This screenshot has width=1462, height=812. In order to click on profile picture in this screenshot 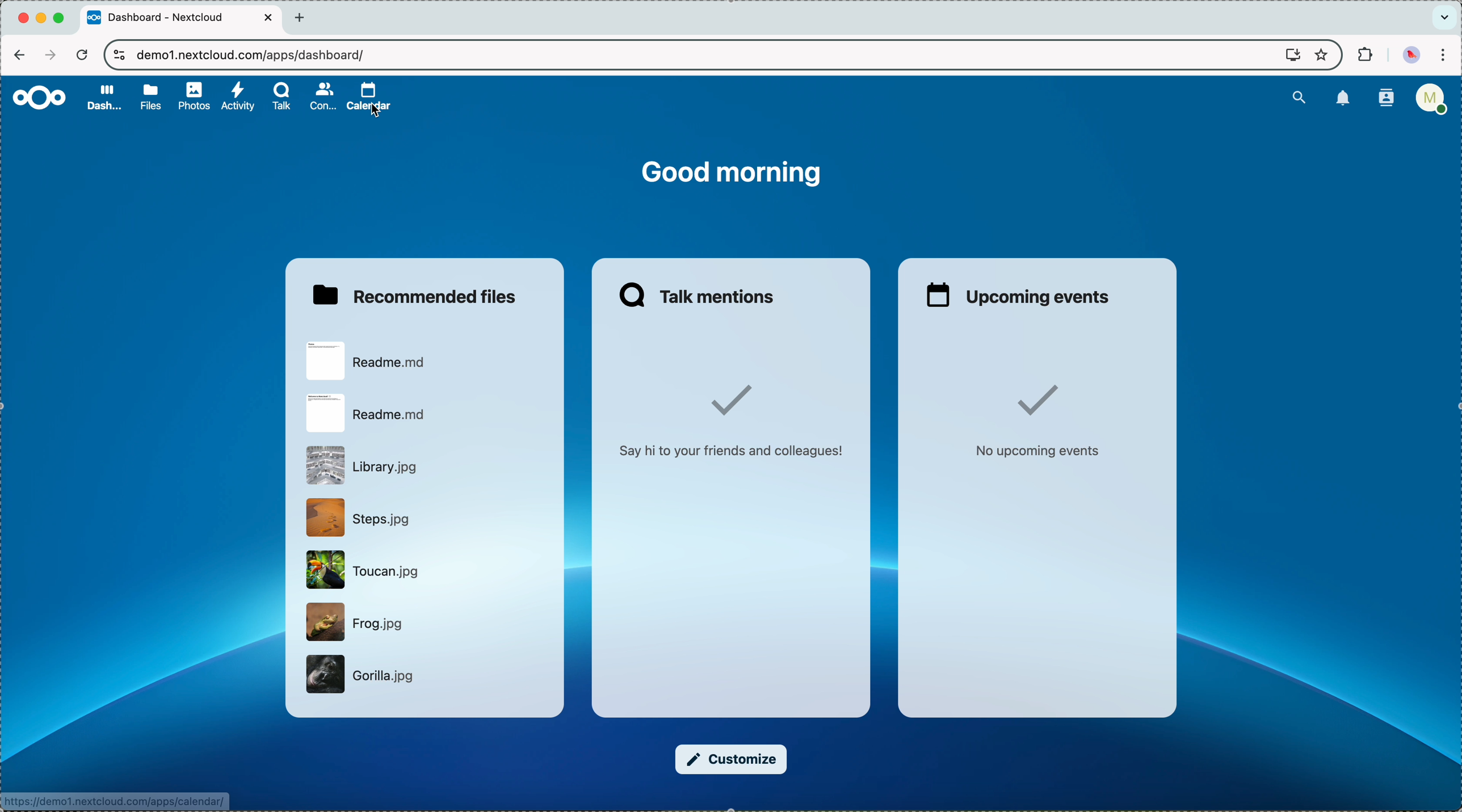, I will do `click(1411, 54)`.